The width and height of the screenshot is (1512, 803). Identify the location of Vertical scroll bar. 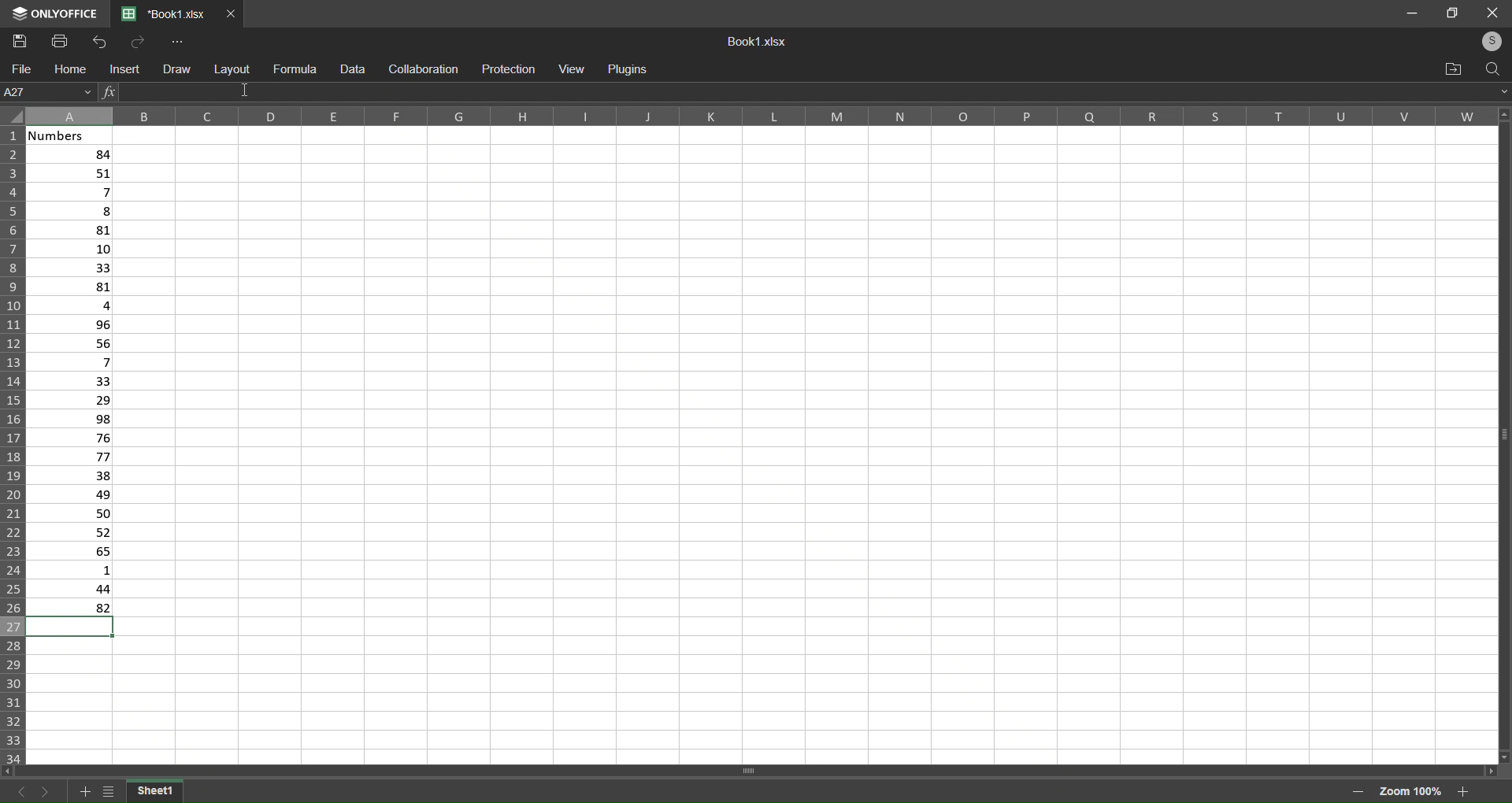
(1503, 436).